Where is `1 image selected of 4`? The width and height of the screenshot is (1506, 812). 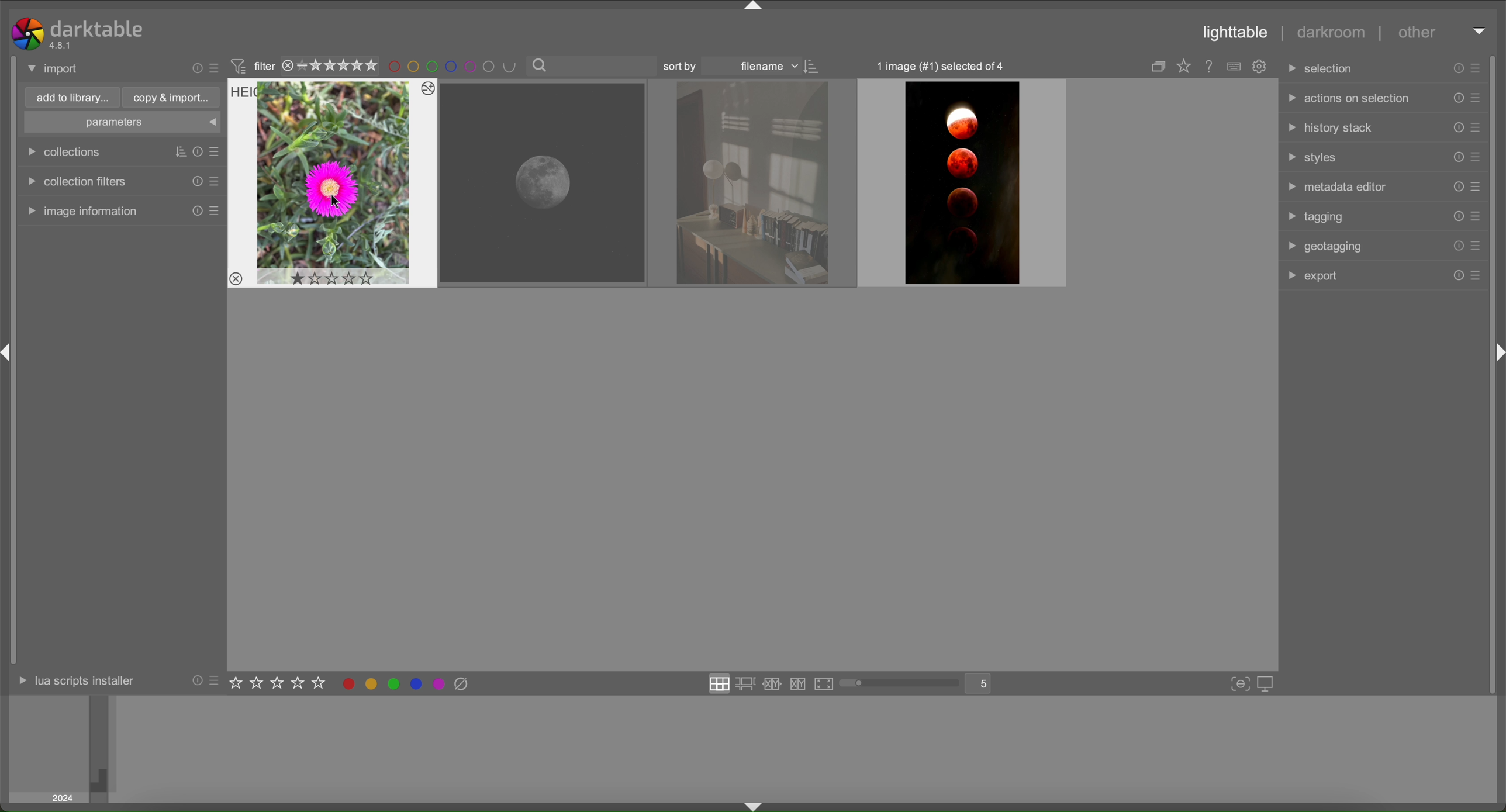 1 image selected of 4 is located at coordinates (942, 65).